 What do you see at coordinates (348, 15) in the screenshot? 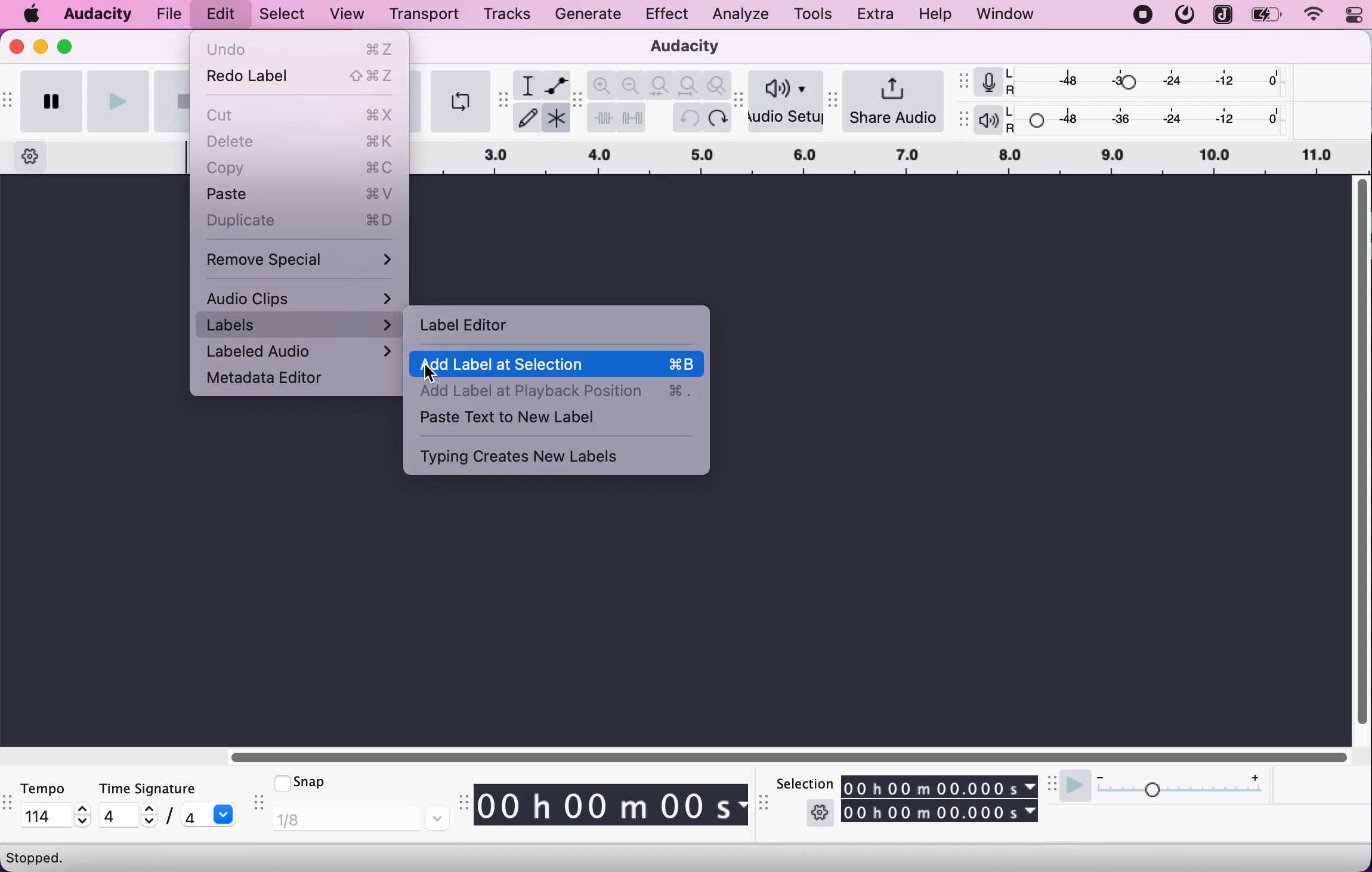
I see `view` at bounding box center [348, 15].